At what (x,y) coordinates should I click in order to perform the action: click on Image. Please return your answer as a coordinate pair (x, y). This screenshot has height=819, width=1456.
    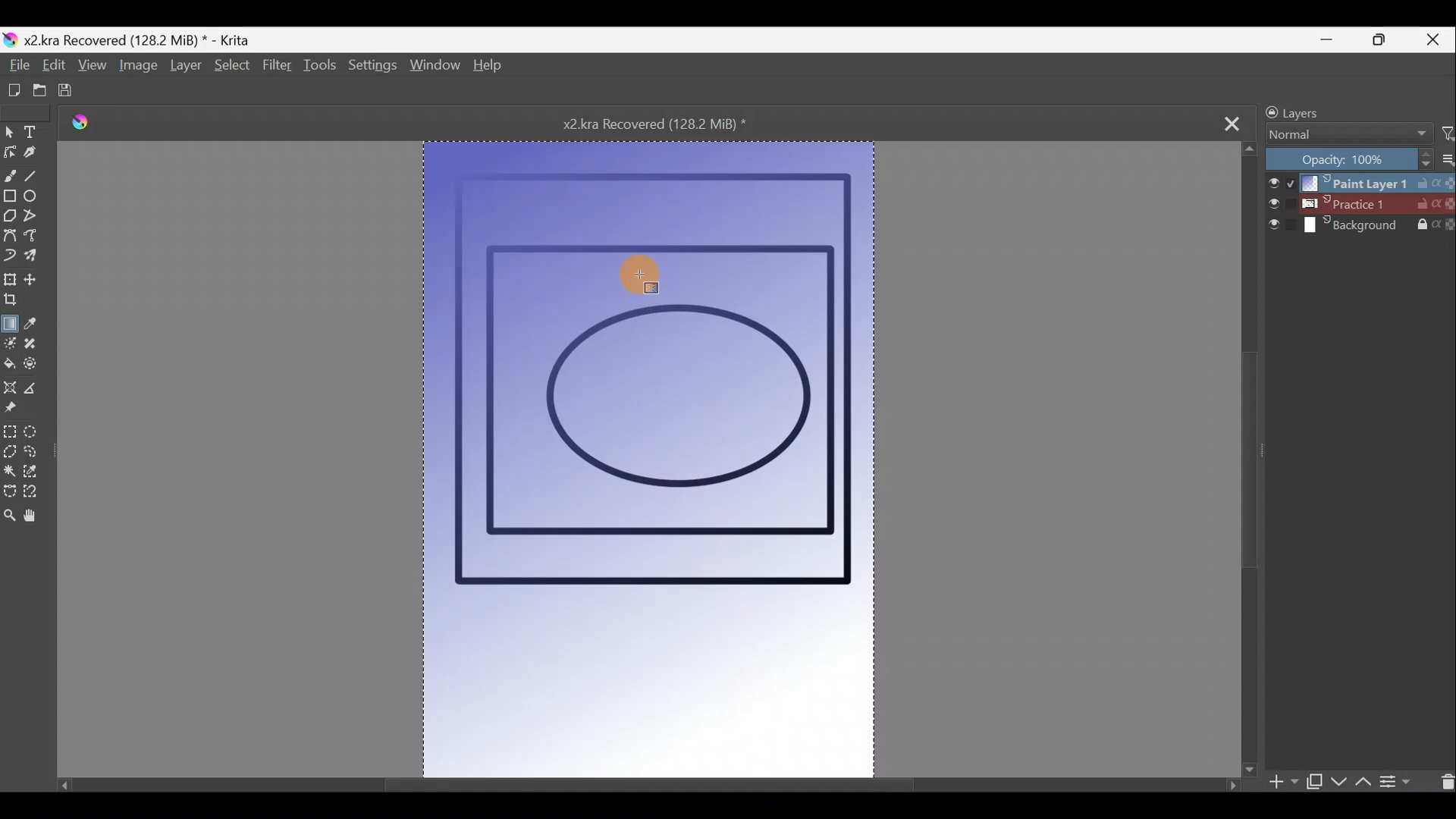
    Looking at the image, I should click on (136, 68).